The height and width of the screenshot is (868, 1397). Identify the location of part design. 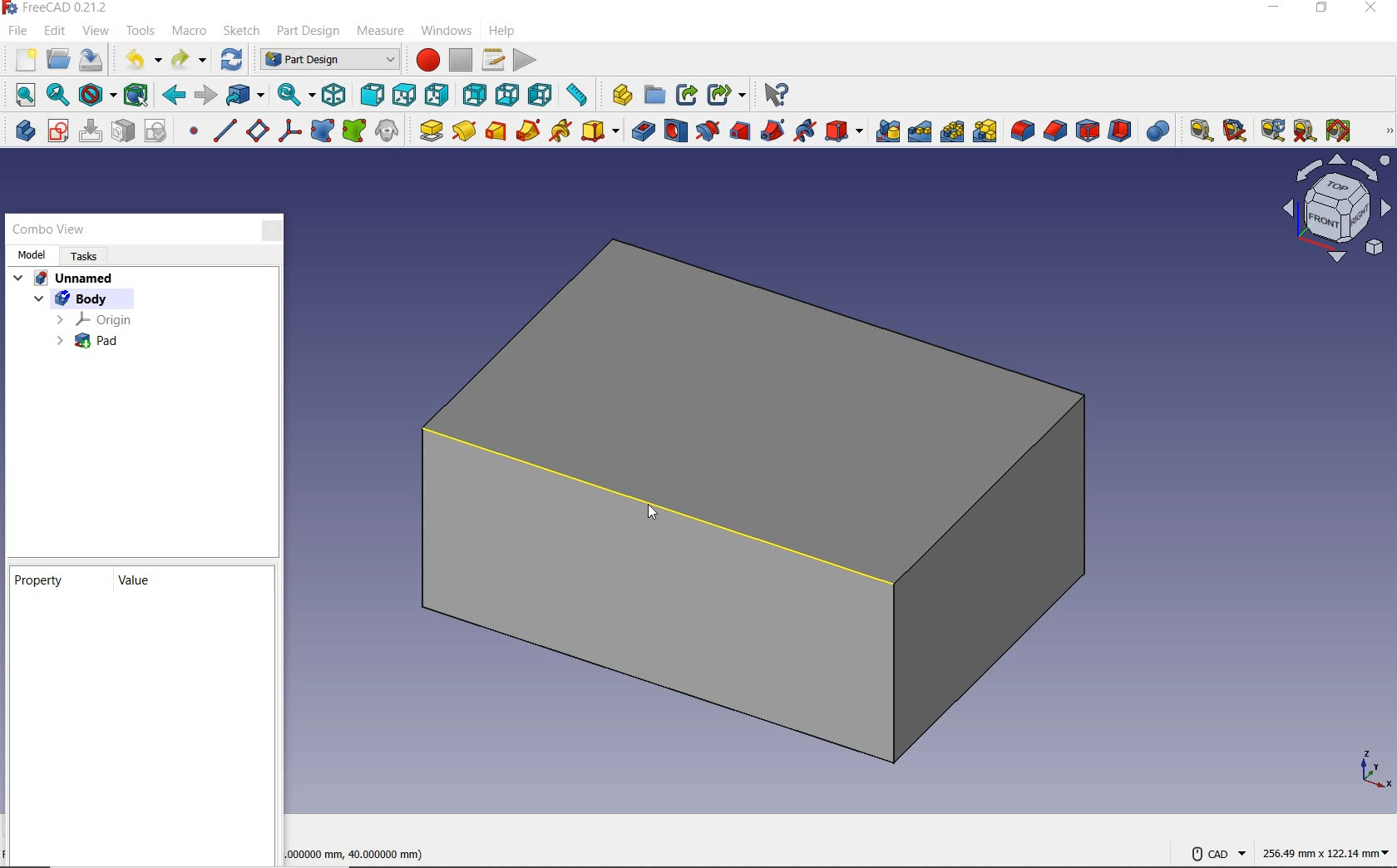
(309, 32).